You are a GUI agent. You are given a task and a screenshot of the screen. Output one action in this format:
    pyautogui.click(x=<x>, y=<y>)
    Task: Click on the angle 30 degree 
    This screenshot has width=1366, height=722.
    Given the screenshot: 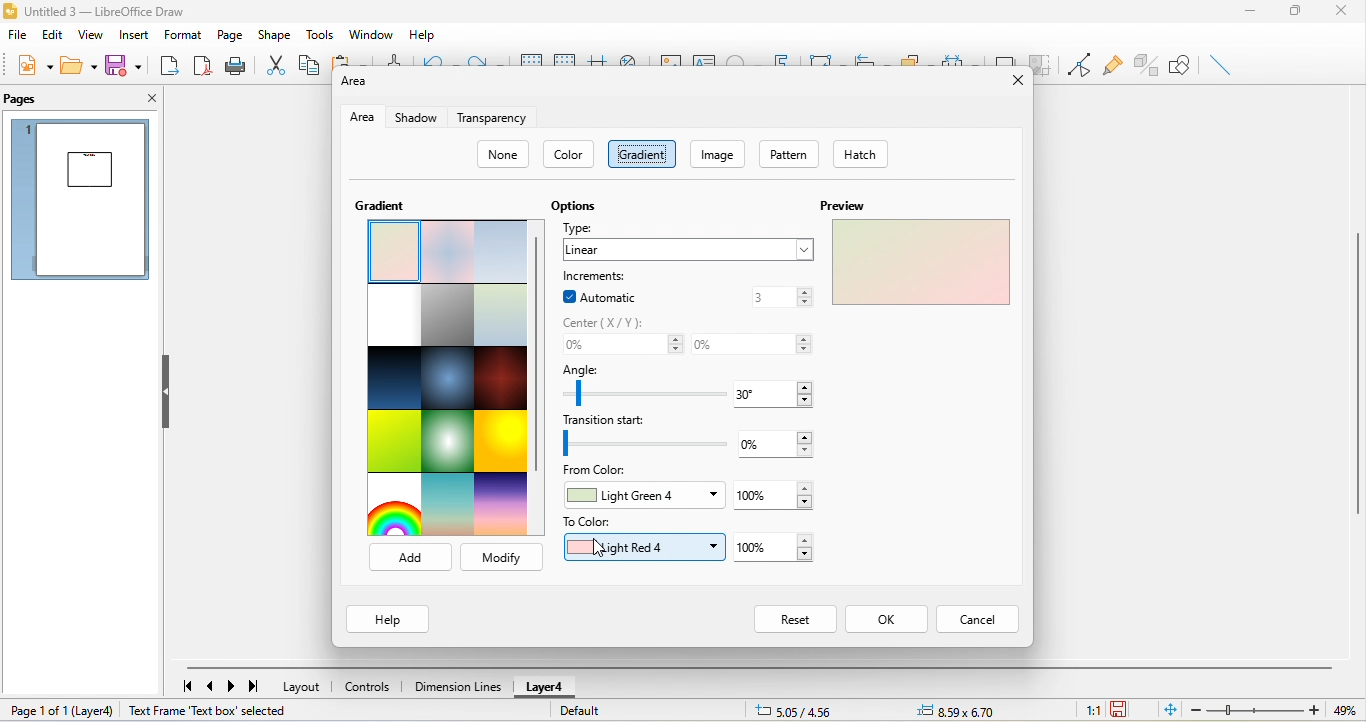 What is the action you would take?
    pyautogui.click(x=782, y=393)
    